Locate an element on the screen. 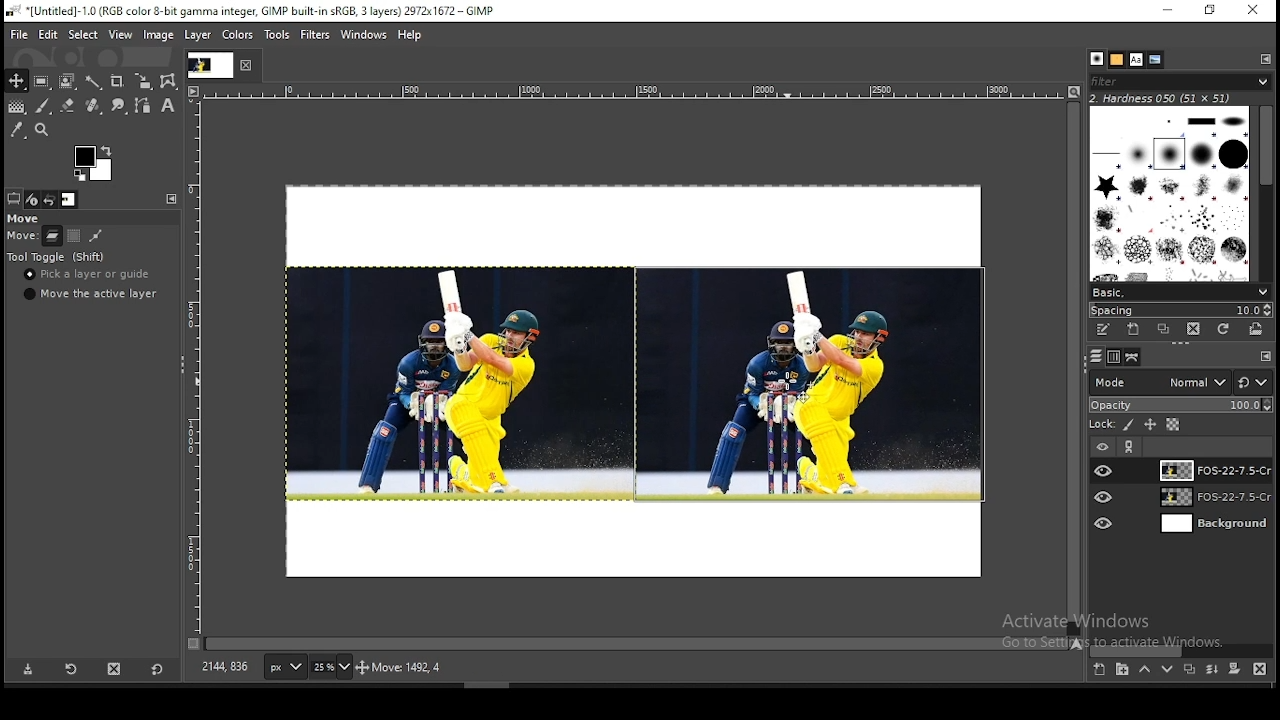  move layer on step down is located at coordinates (1168, 672).